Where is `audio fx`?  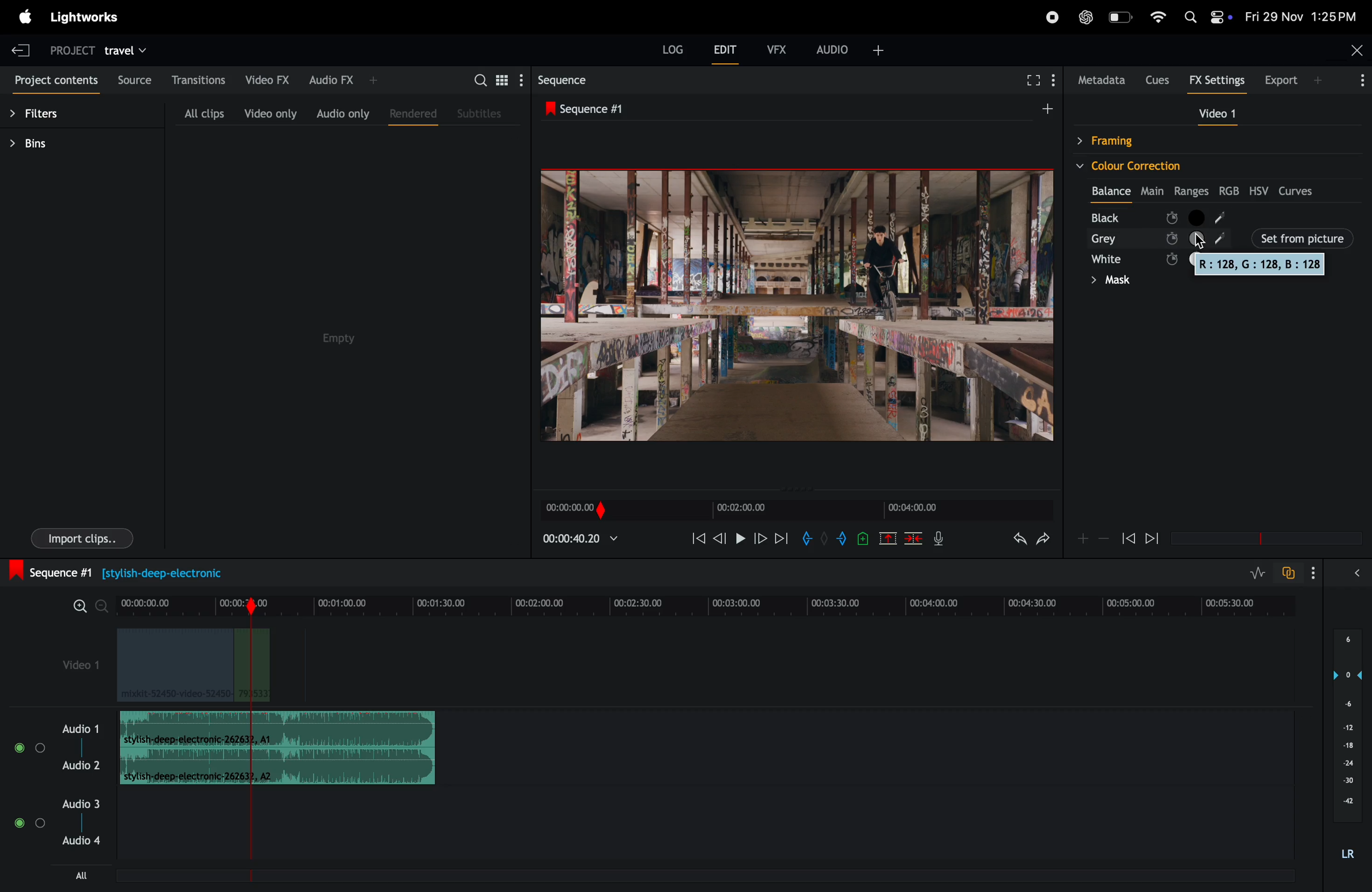 audio fx is located at coordinates (344, 80).